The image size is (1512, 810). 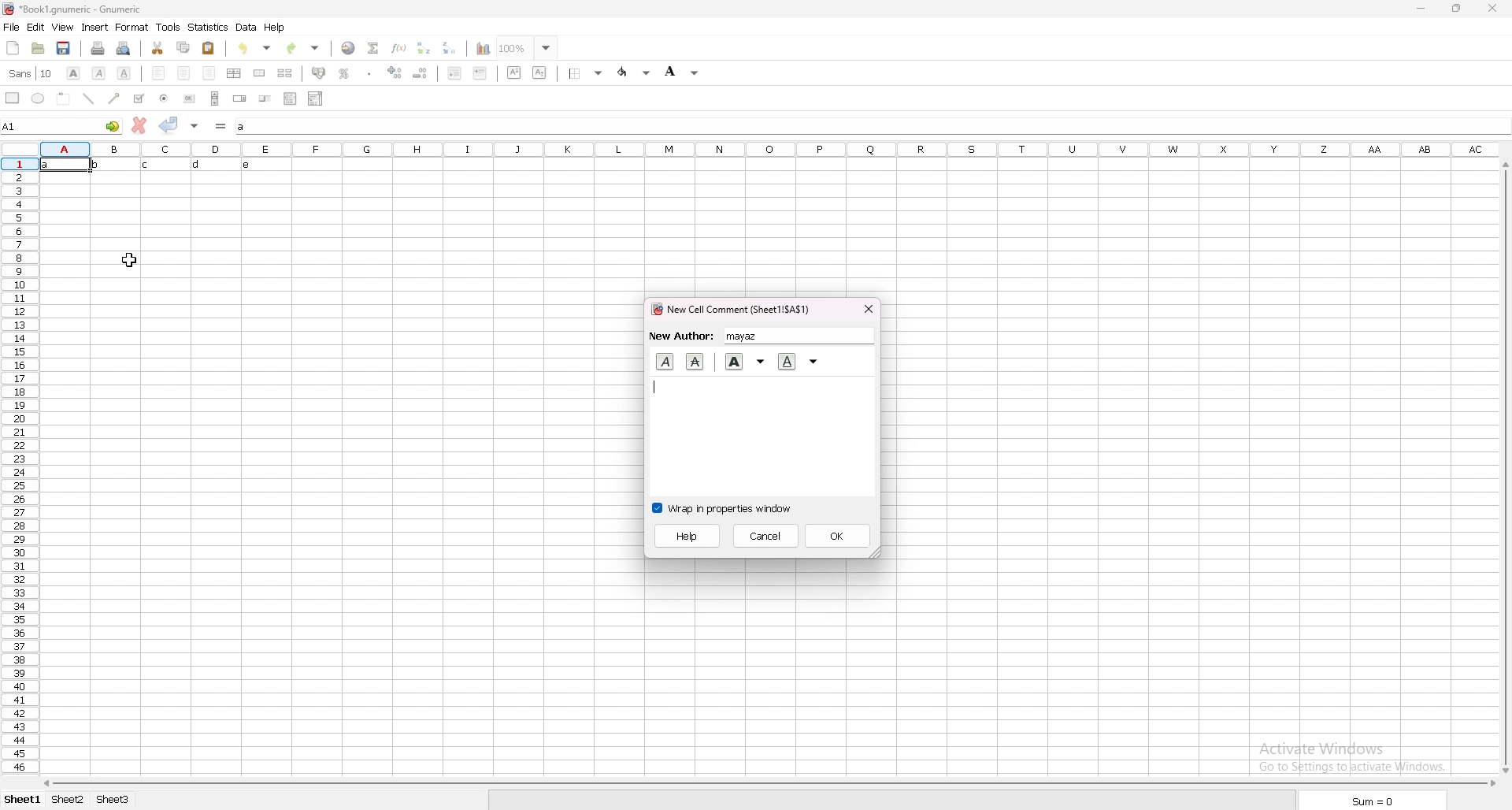 What do you see at coordinates (349, 48) in the screenshot?
I see `hyperlink` at bounding box center [349, 48].